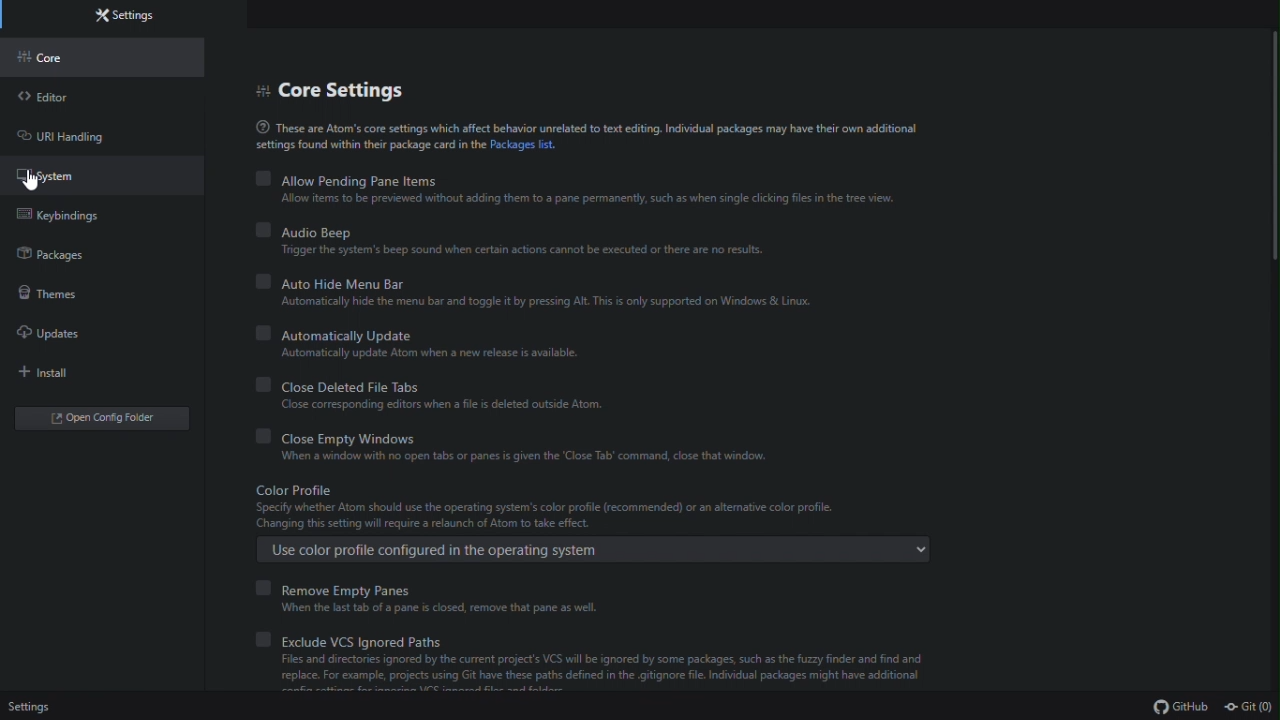  I want to click on settings, so click(32, 709).